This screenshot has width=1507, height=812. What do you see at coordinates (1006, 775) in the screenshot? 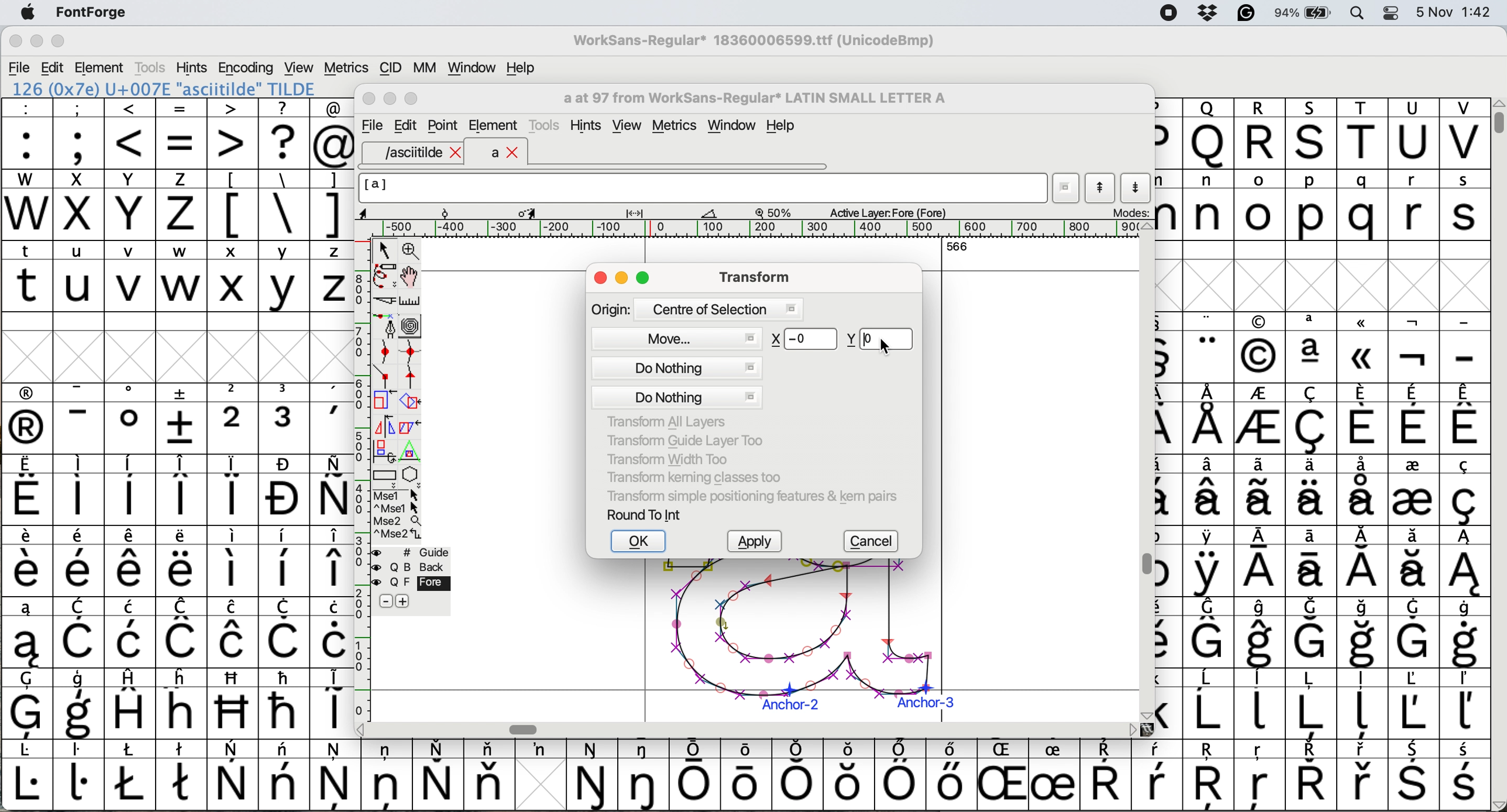
I see `` at bounding box center [1006, 775].